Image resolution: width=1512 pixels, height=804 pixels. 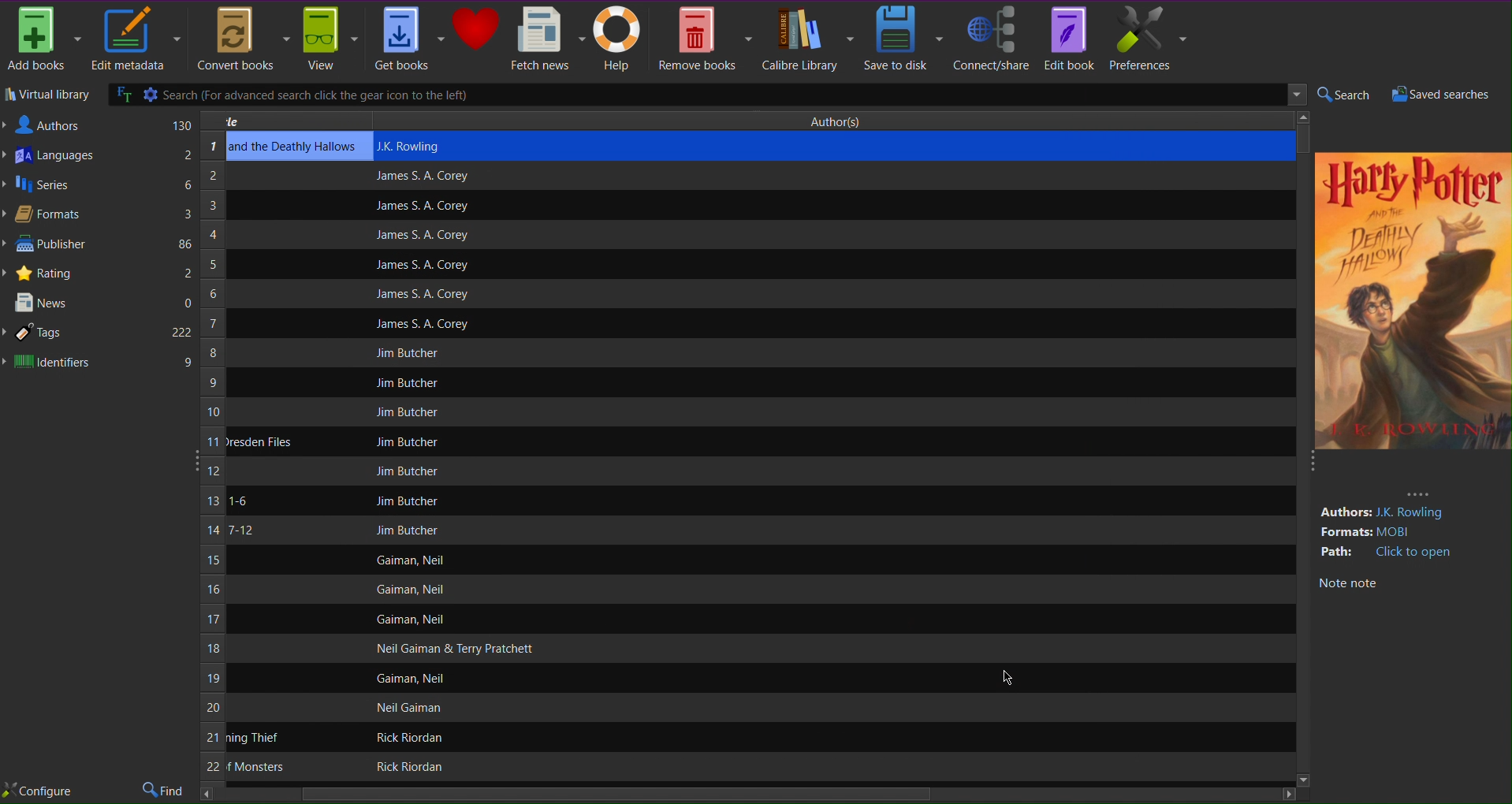 What do you see at coordinates (992, 37) in the screenshot?
I see `Connect/Share` at bounding box center [992, 37].